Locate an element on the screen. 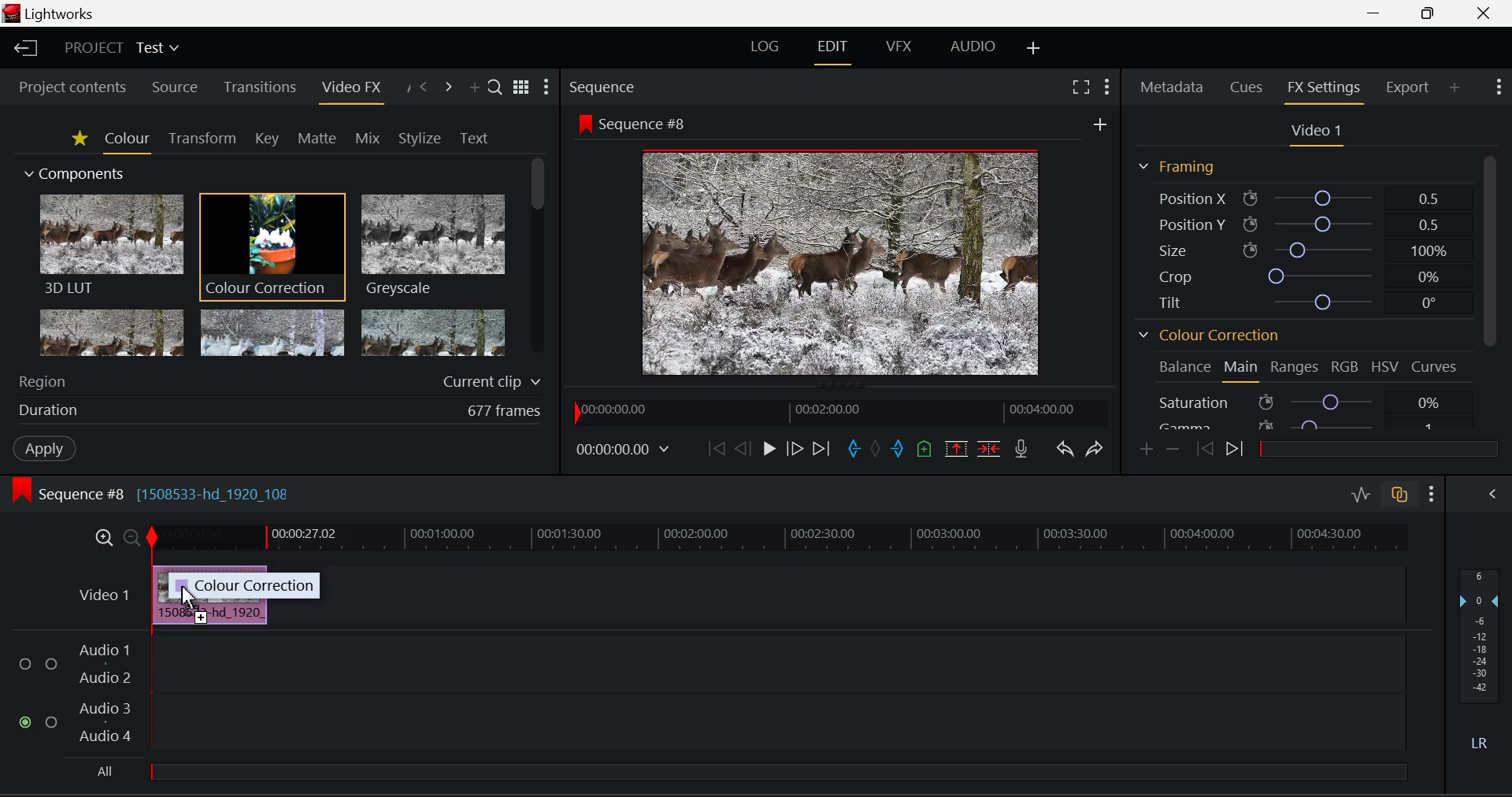  Colour correction is located at coordinates (246, 584).